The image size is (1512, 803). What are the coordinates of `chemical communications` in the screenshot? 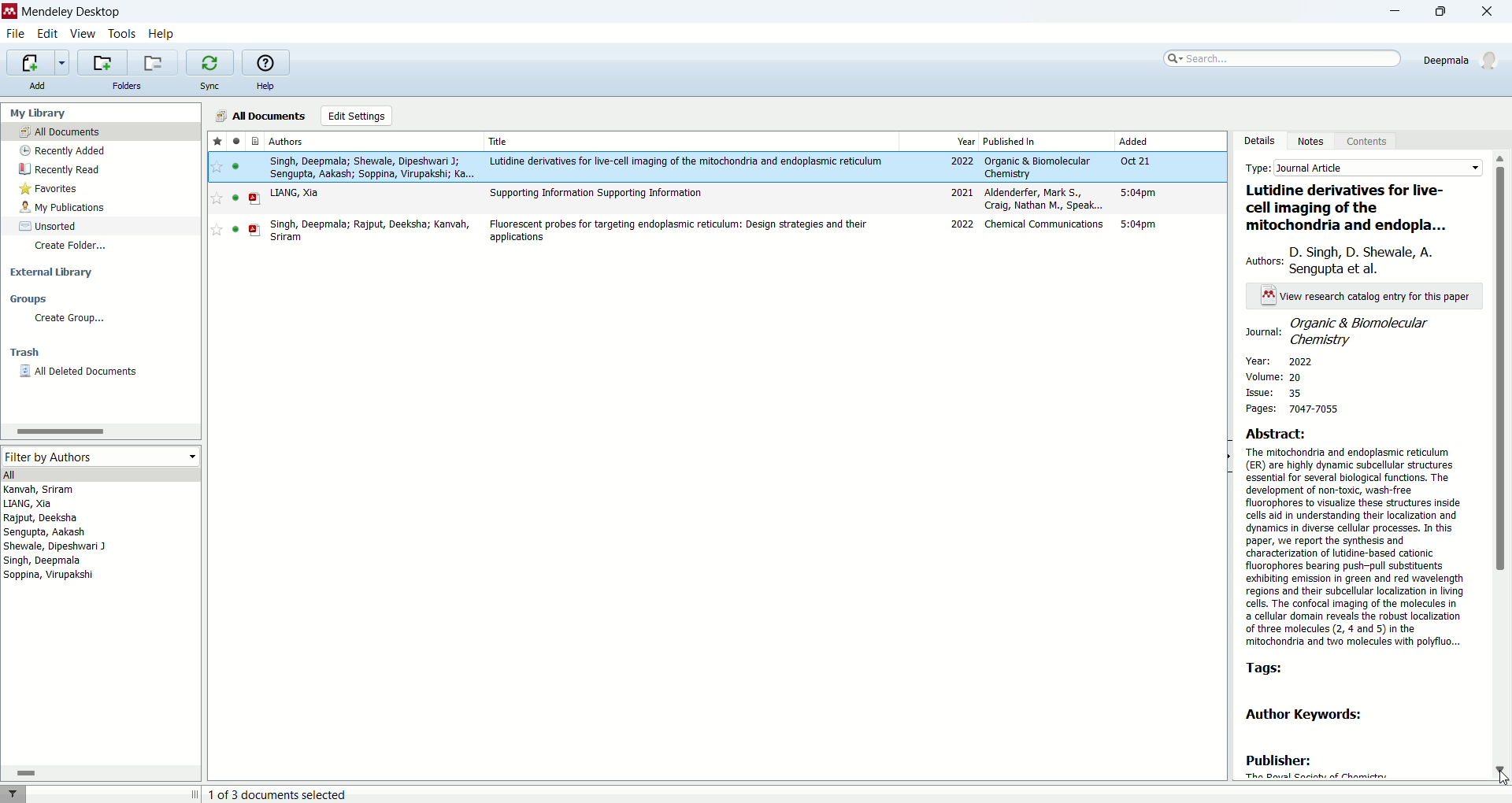 It's located at (1046, 224).